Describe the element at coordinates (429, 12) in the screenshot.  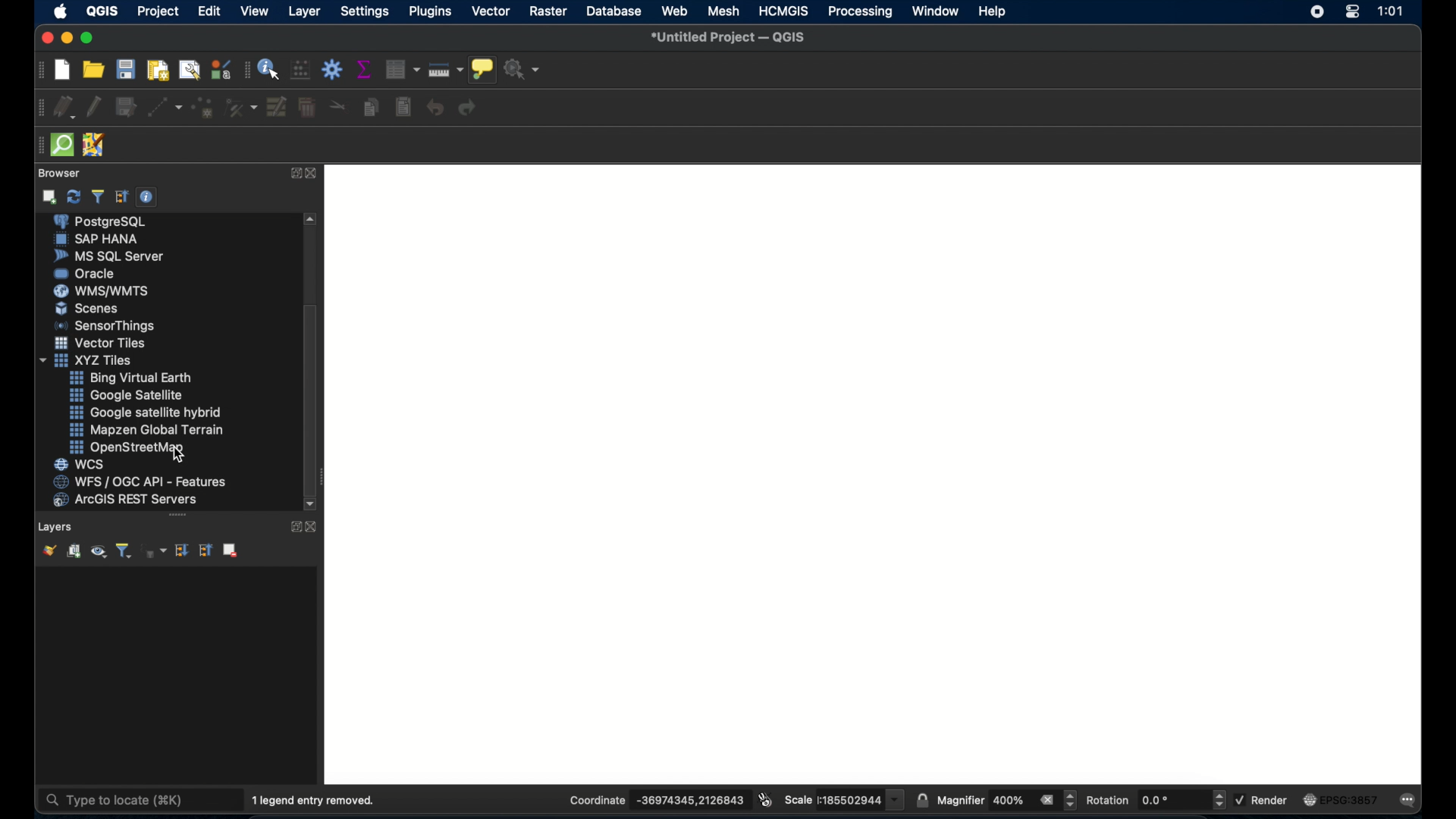
I see `plugins` at that location.